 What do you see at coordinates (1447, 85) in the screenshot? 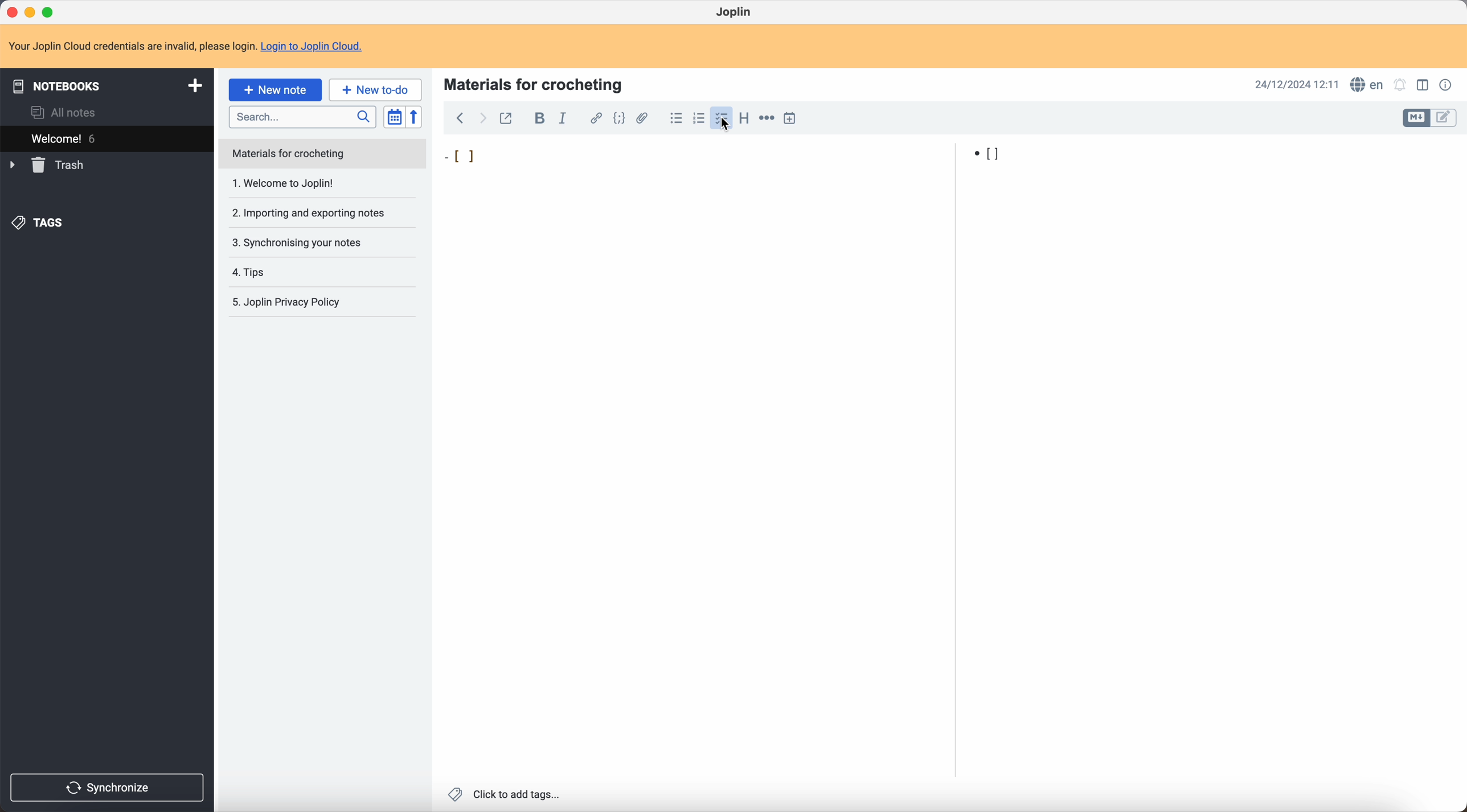
I see `note properties` at bounding box center [1447, 85].